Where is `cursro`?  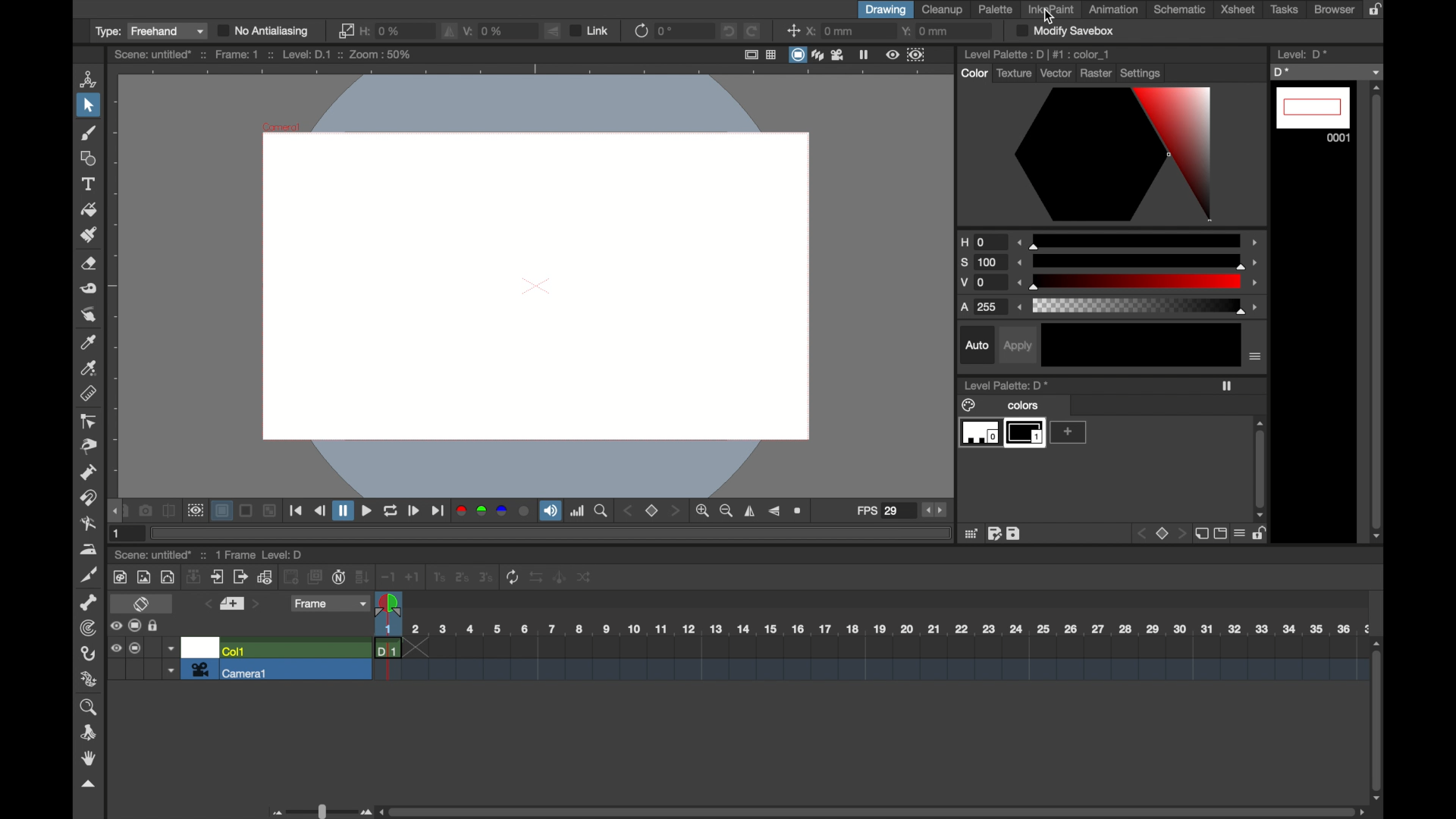
cursro is located at coordinates (1049, 17).